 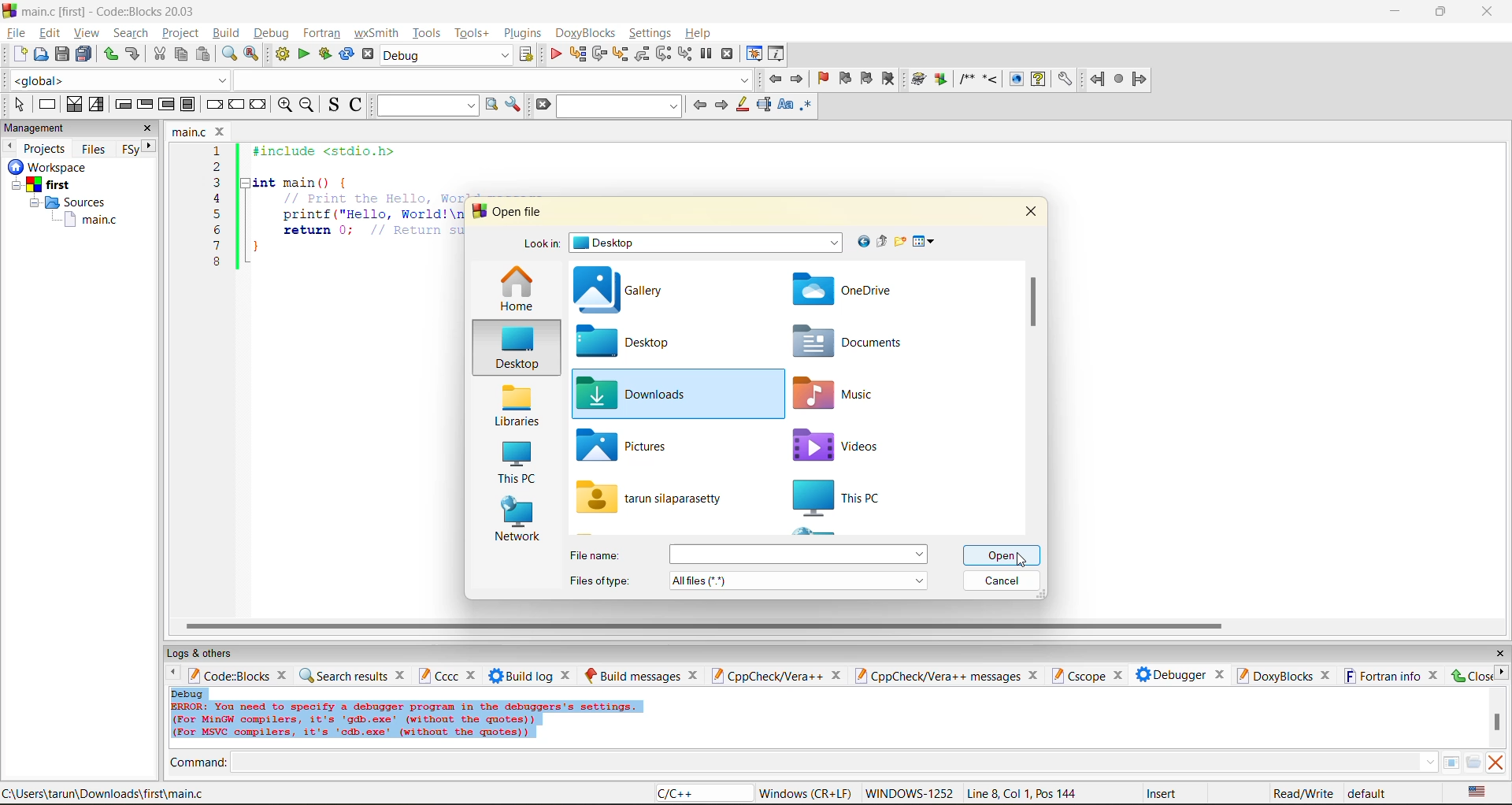 What do you see at coordinates (598, 555) in the screenshot?
I see `file name` at bounding box center [598, 555].